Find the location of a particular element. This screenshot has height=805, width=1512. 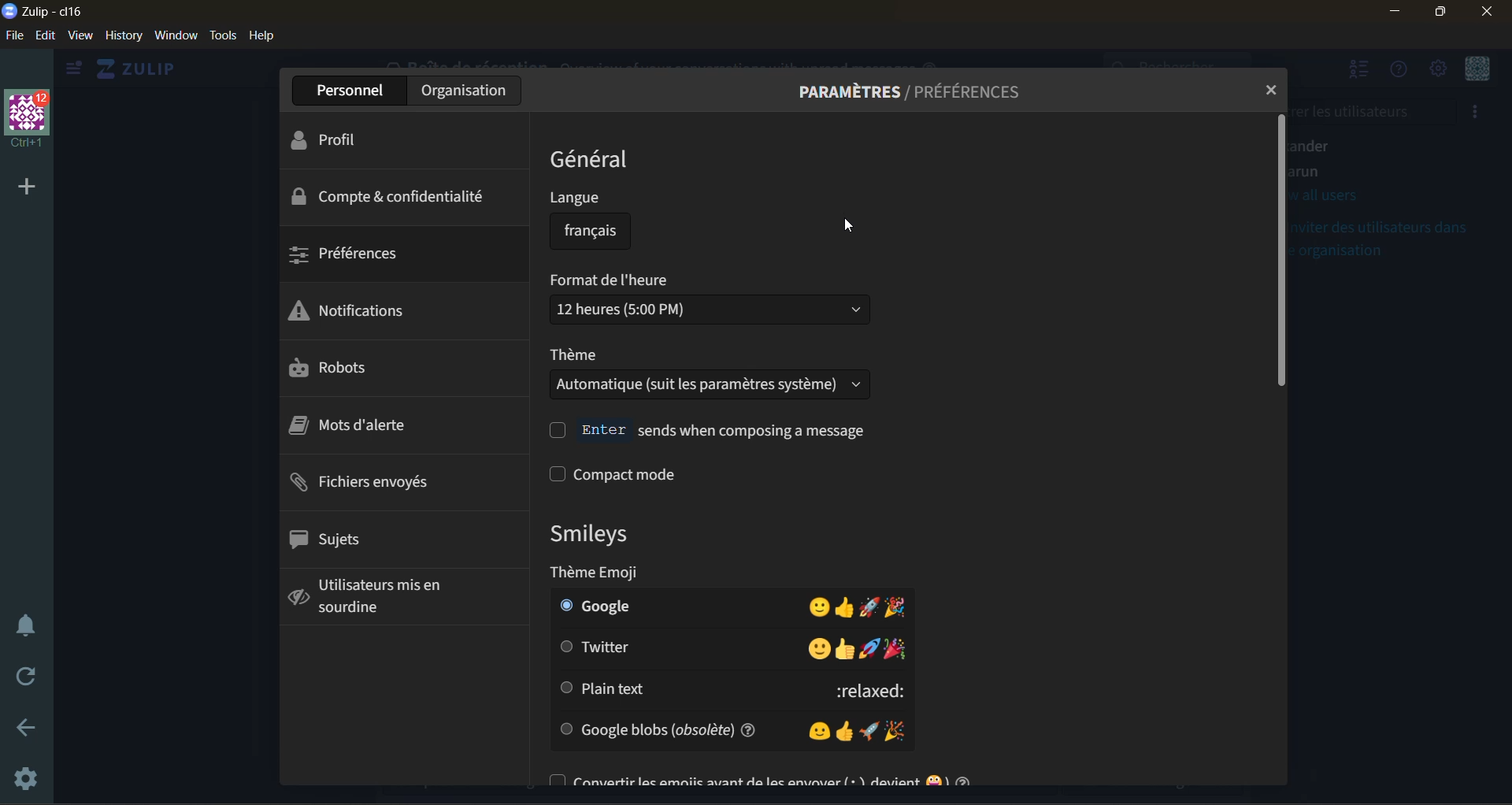

window is located at coordinates (178, 38).